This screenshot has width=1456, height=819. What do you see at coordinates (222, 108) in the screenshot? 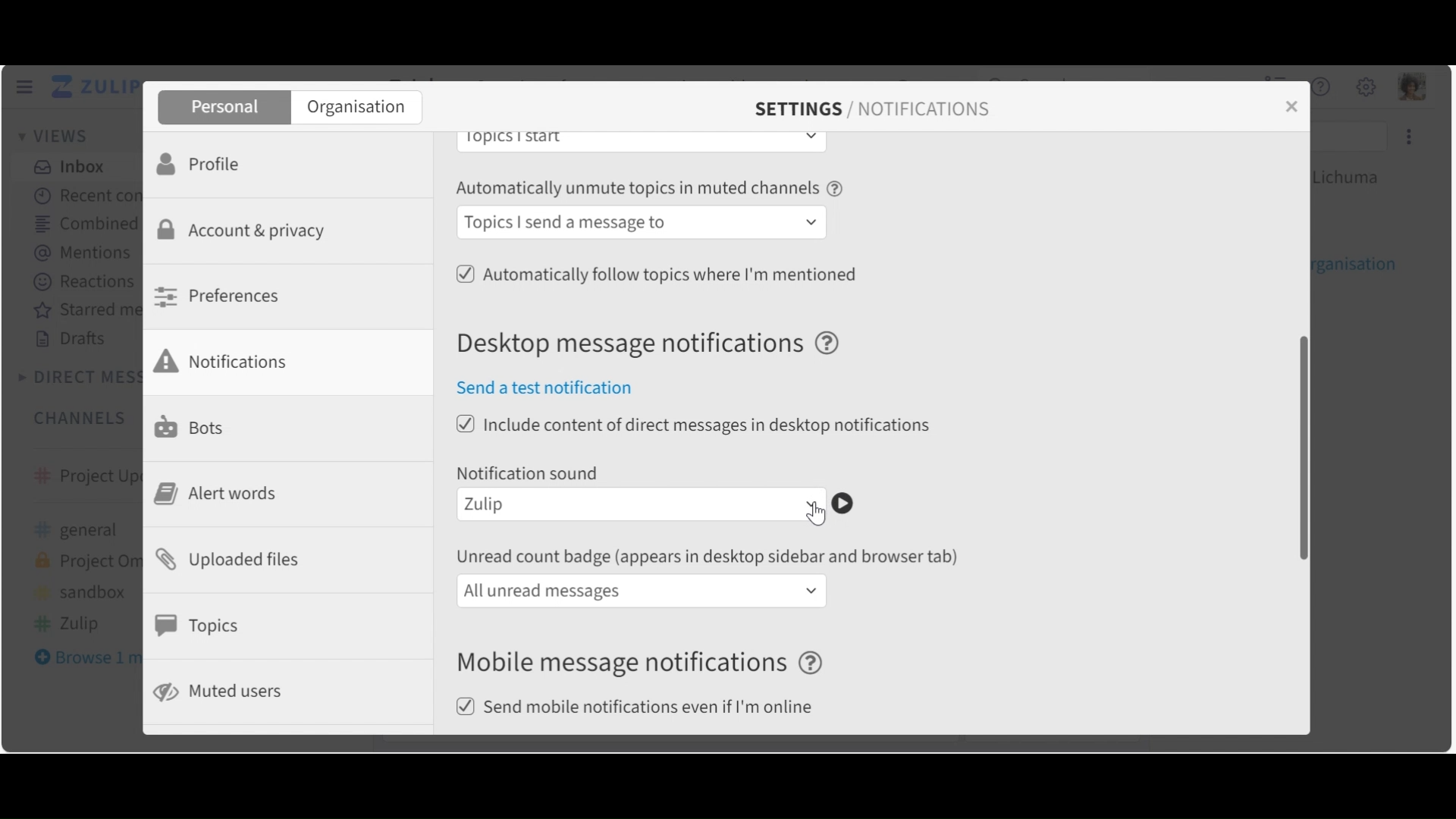
I see `Personal` at bounding box center [222, 108].